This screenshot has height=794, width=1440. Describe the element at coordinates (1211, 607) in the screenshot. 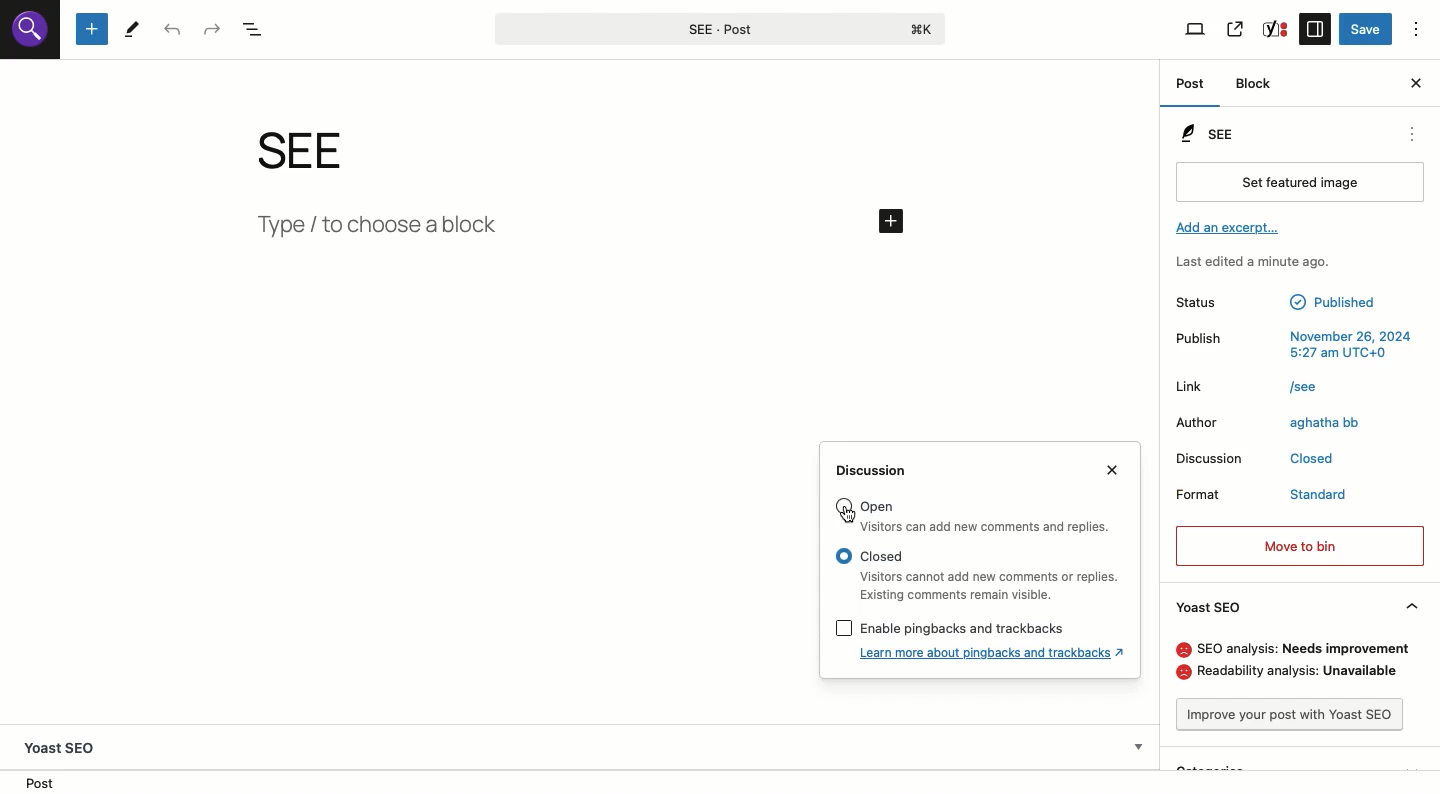

I see `Yoast SEO` at that location.